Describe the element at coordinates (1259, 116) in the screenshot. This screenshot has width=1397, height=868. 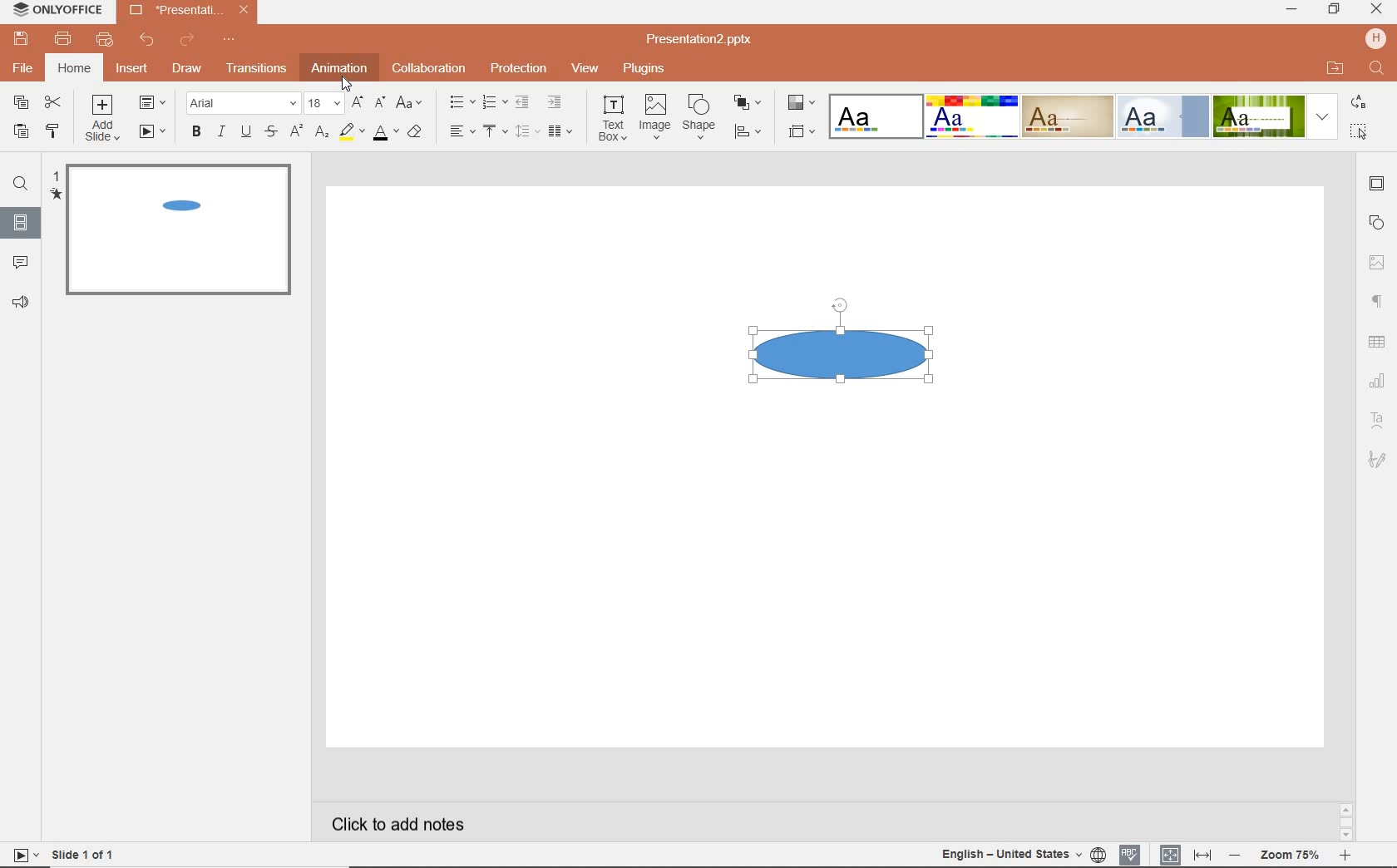
I see `Grean leaf` at that location.